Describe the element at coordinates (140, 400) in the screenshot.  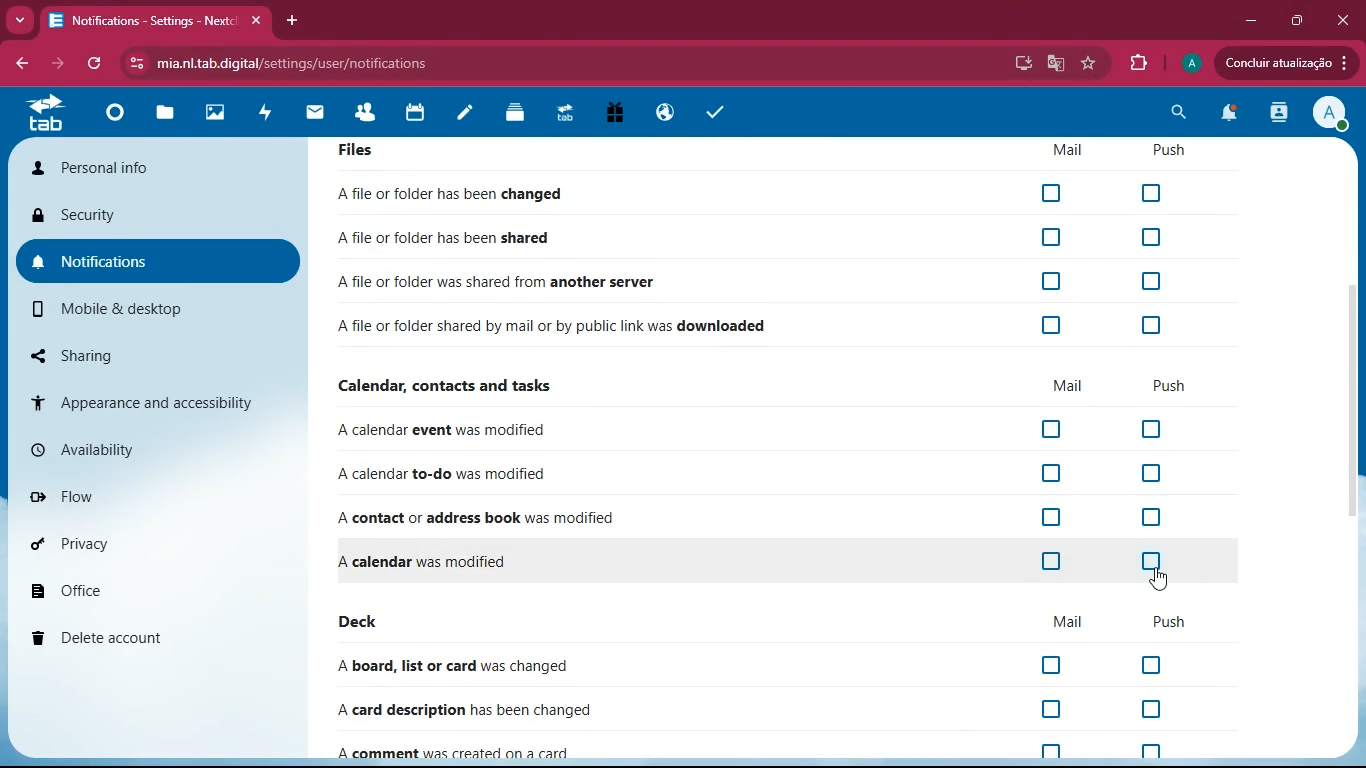
I see `appearance` at that location.